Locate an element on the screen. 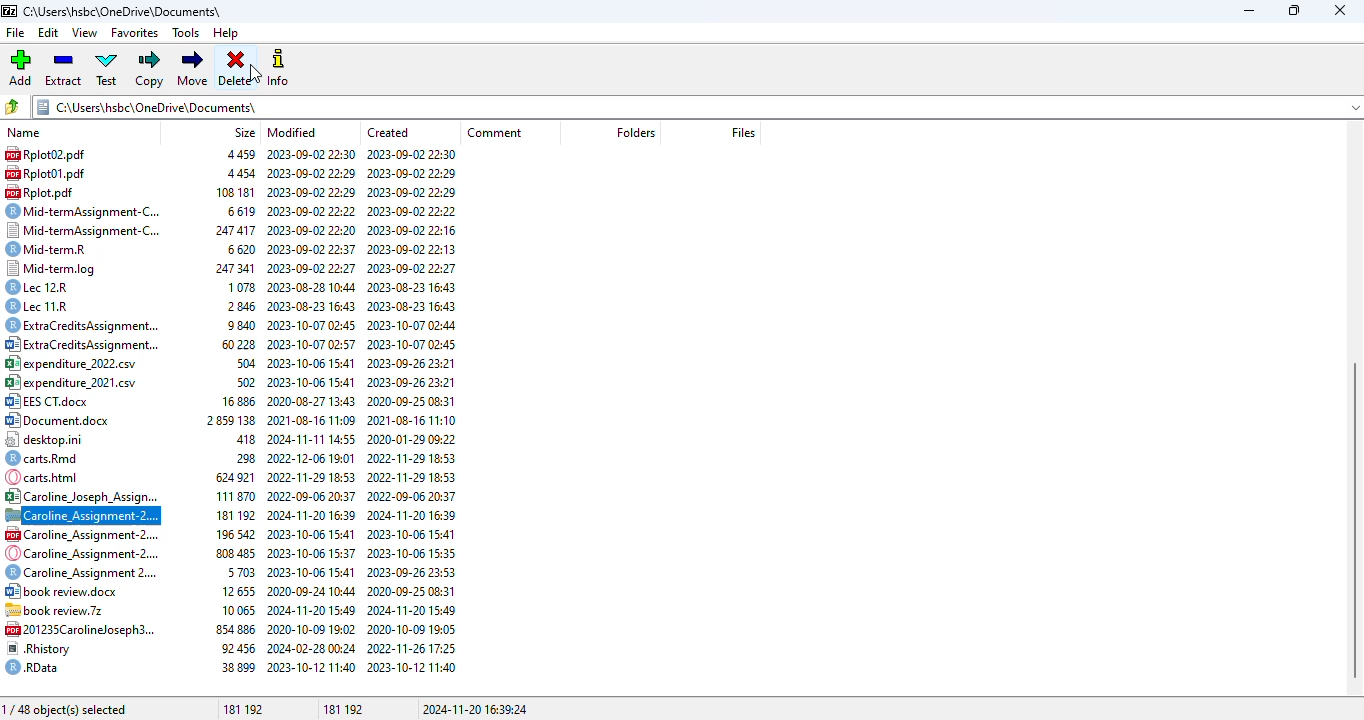 The image size is (1364, 720). vertical scroll bar is located at coordinates (1355, 520).